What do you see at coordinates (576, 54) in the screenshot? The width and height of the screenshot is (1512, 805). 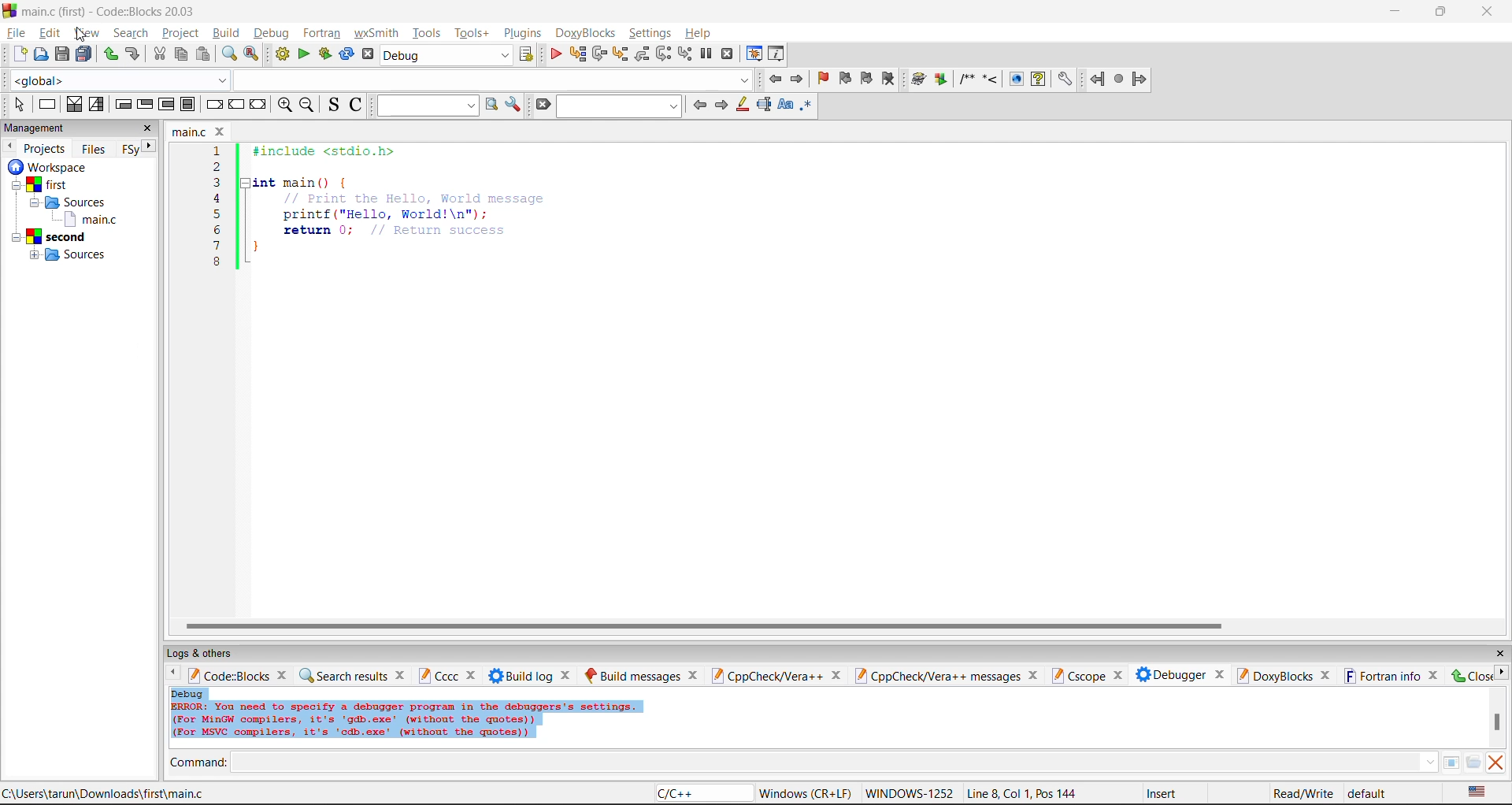 I see `run to cursor` at bounding box center [576, 54].